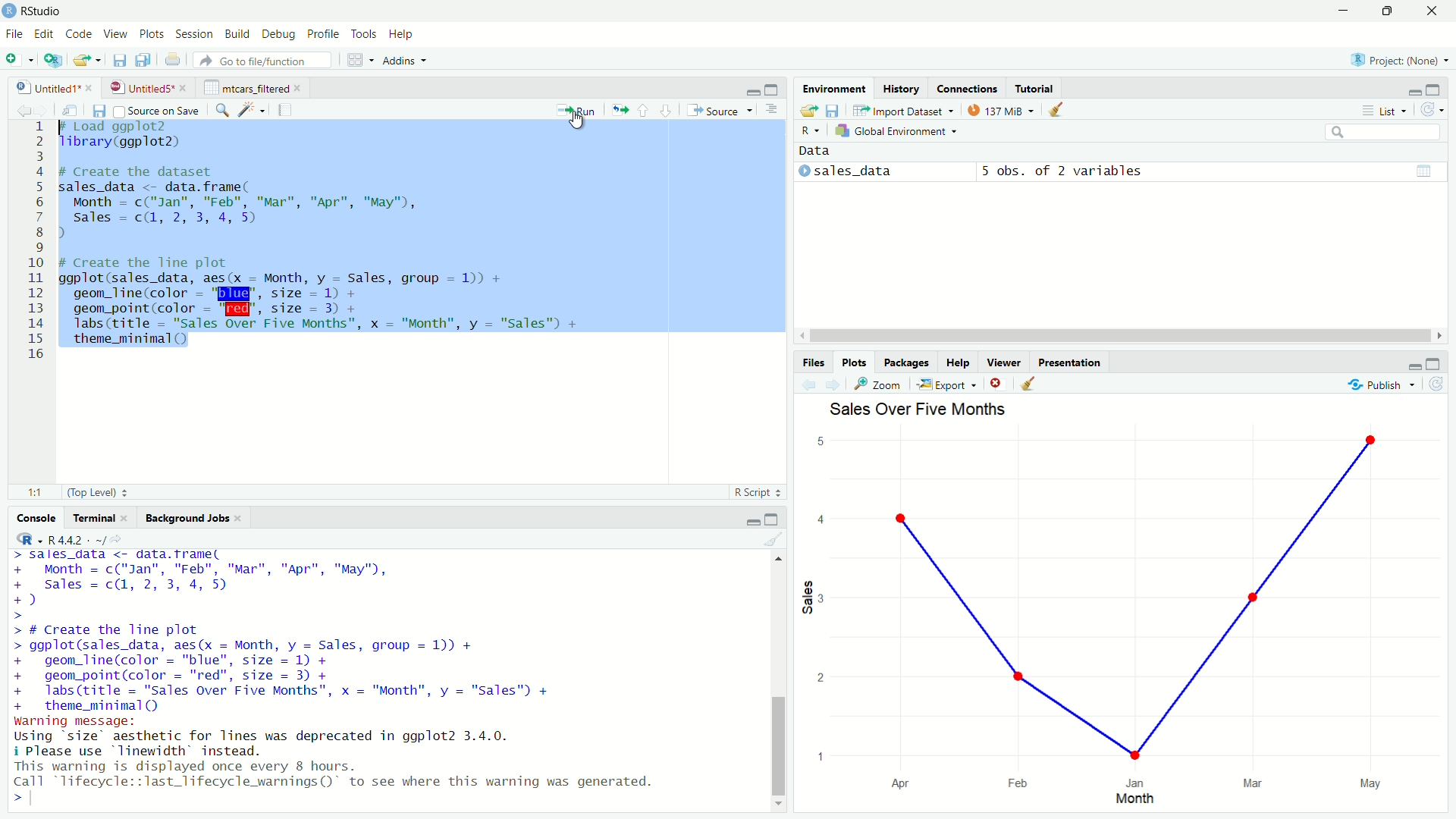 The image size is (1456, 819). What do you see at coordinates (39, 243) in the screenshot?
I see `line numbers` at bounding box center [39, 243].